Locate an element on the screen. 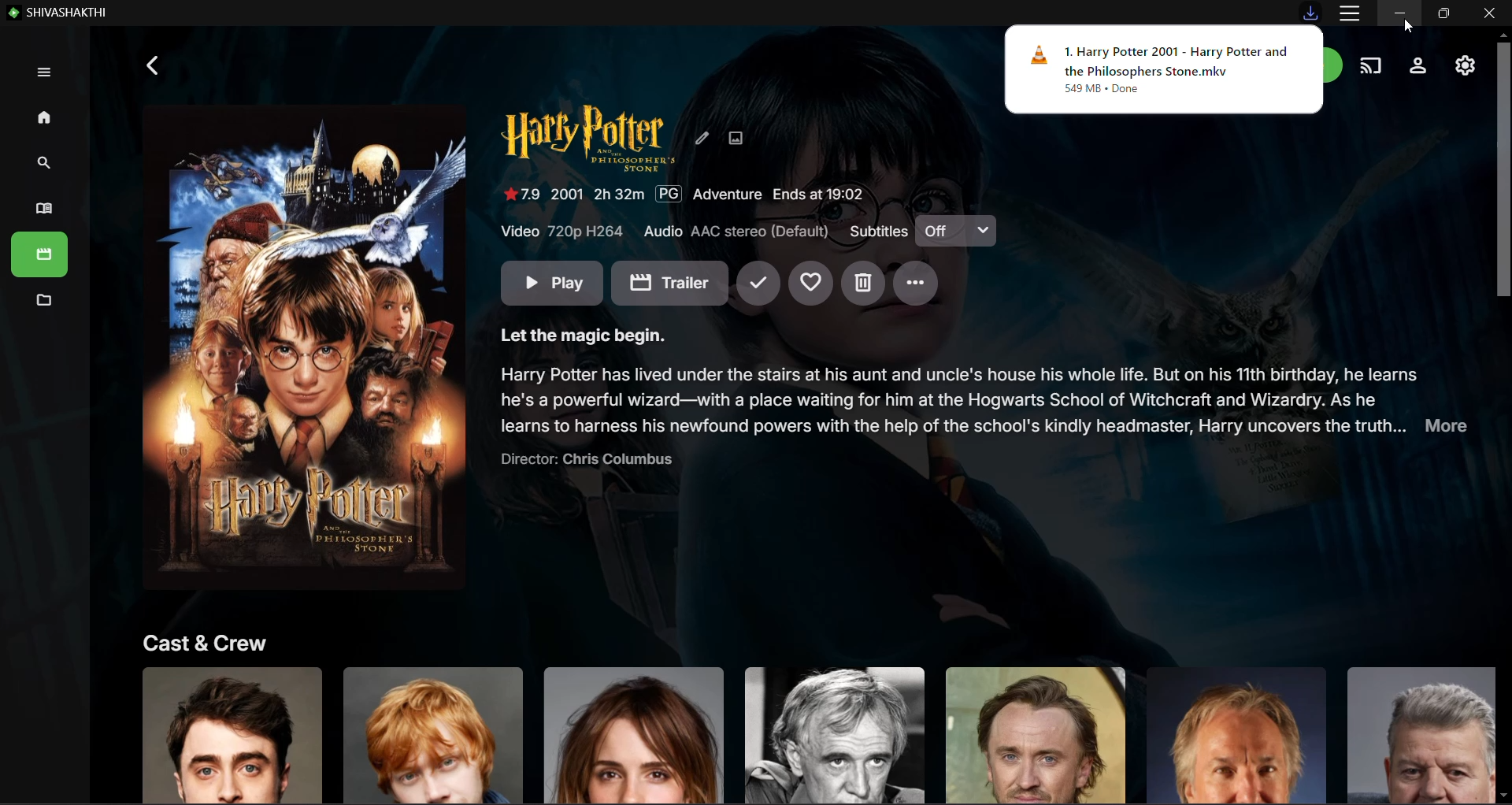 This screenshot has height=805, width=1512. Trailer is located at coordinates (669, 283).